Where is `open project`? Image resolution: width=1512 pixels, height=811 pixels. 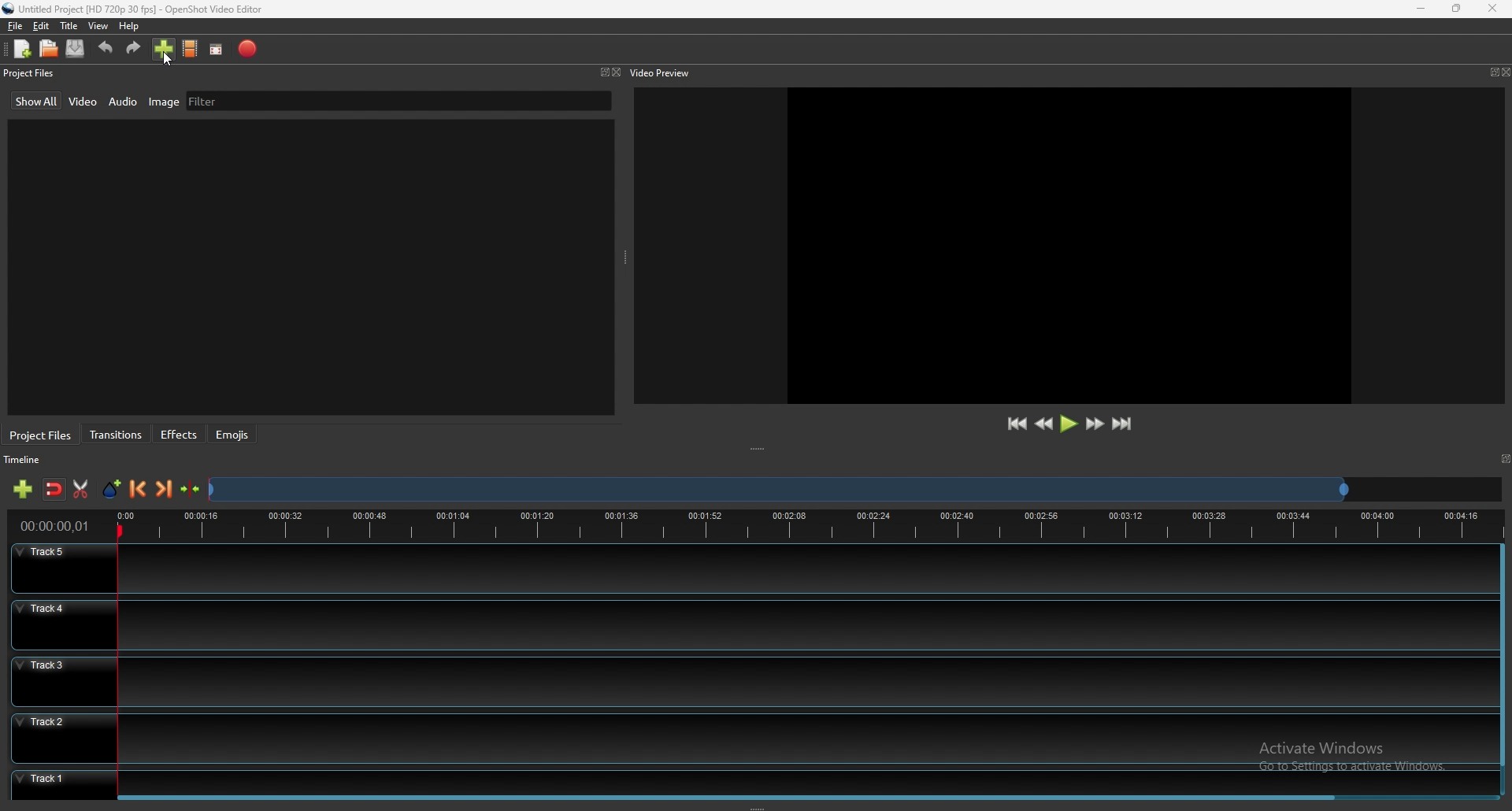
open project is located at coordinates (49, 47).